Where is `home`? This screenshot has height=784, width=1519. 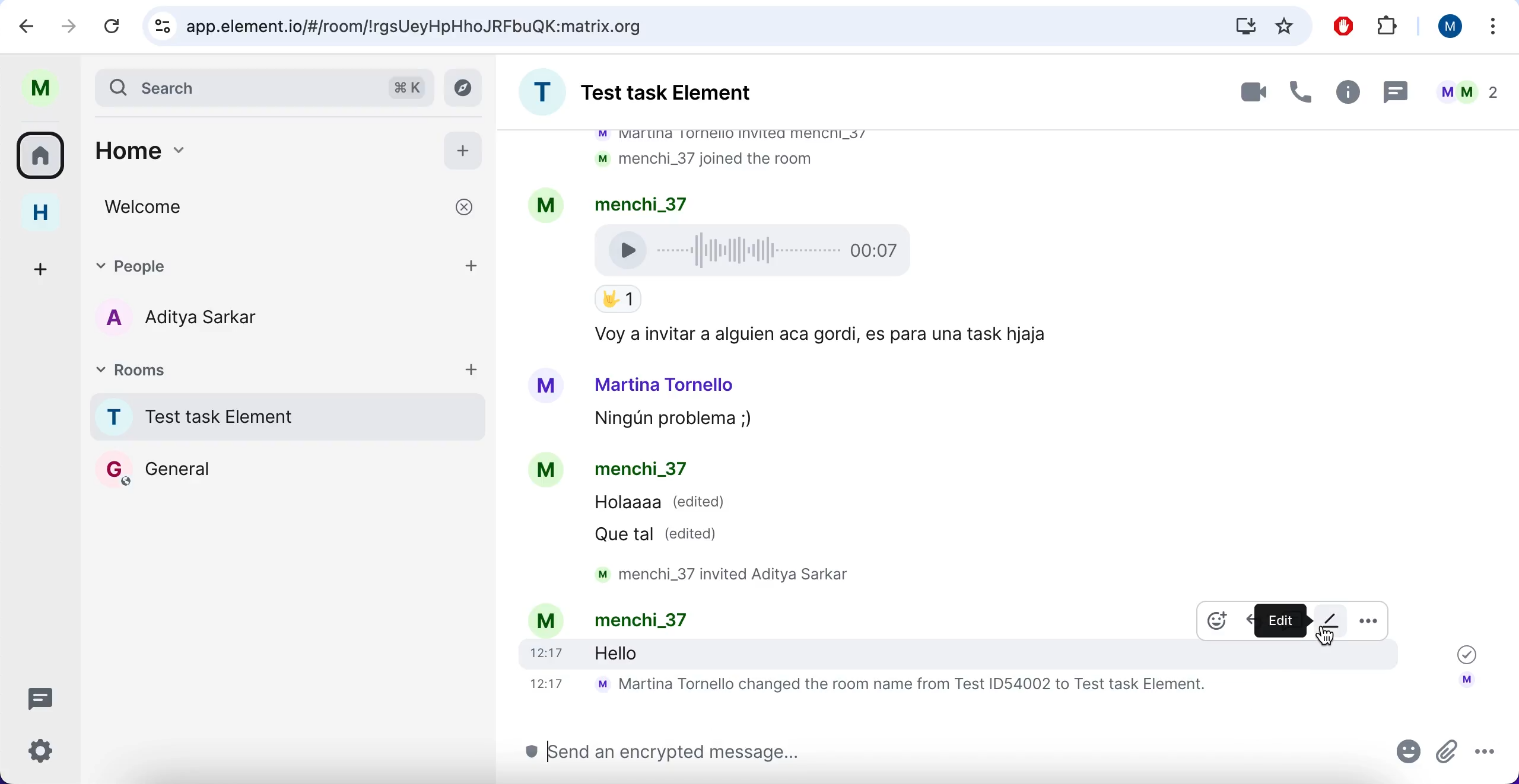
home is located at coordinates (39, 216).